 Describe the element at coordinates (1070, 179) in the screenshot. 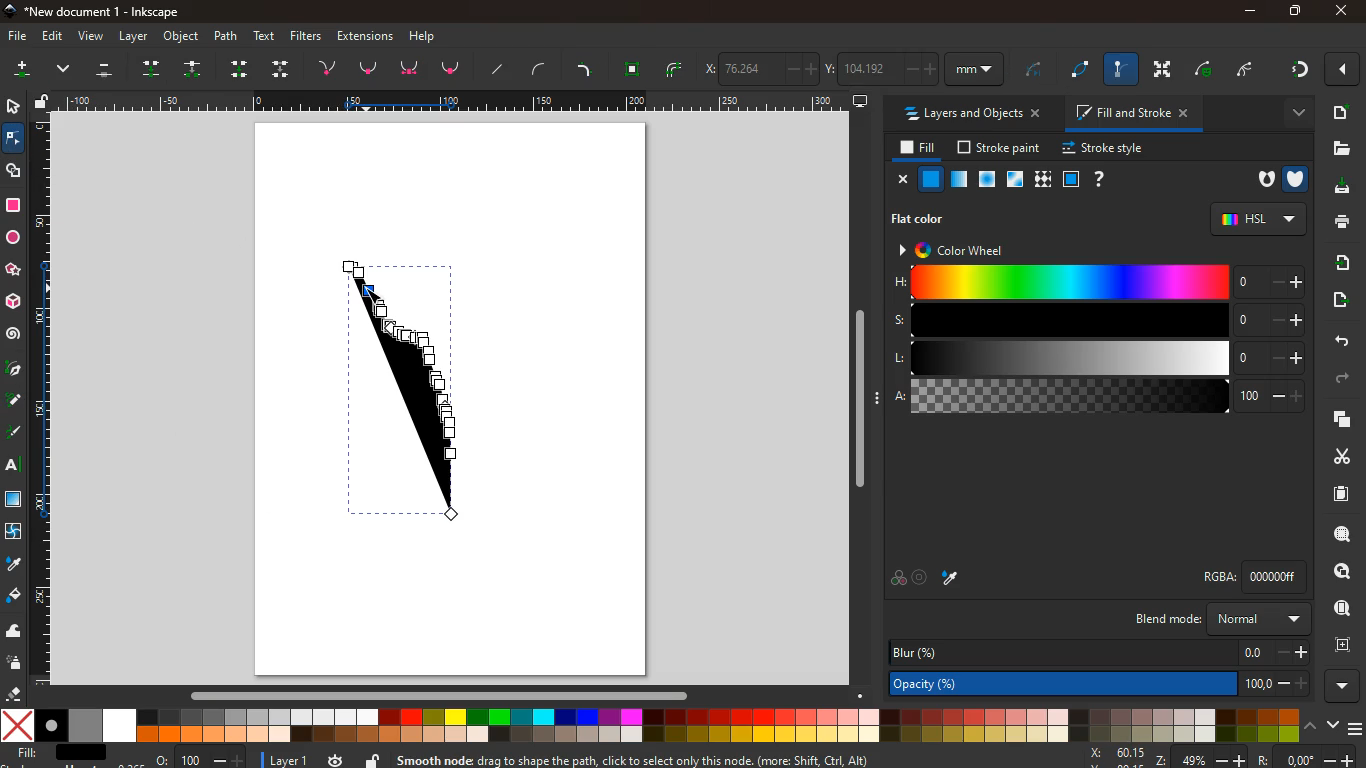

I see `frame` at that location.